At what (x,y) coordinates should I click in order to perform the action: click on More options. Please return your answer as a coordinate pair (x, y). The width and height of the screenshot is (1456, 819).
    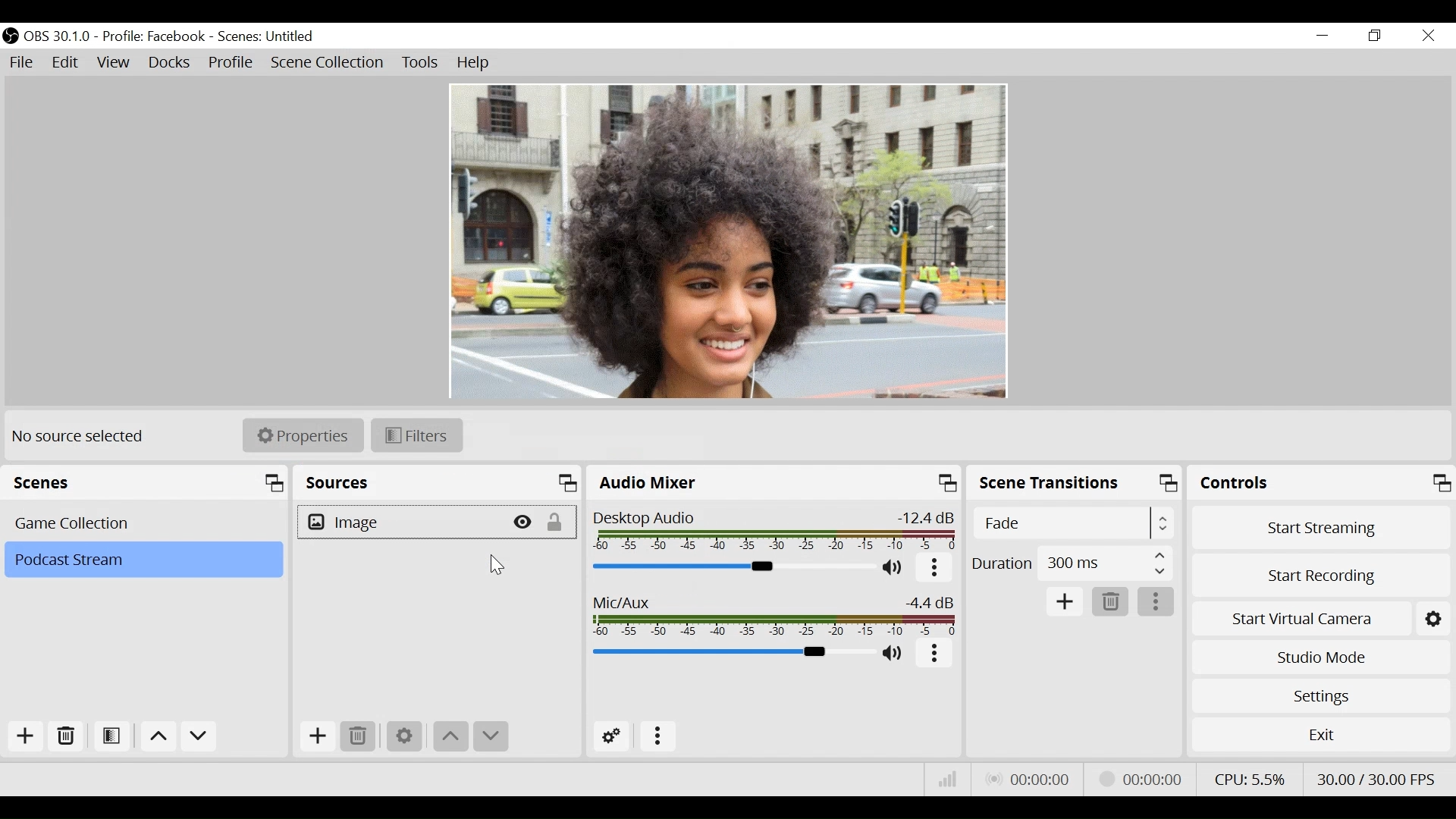
    Looking at the image, I should click on (661, 738).